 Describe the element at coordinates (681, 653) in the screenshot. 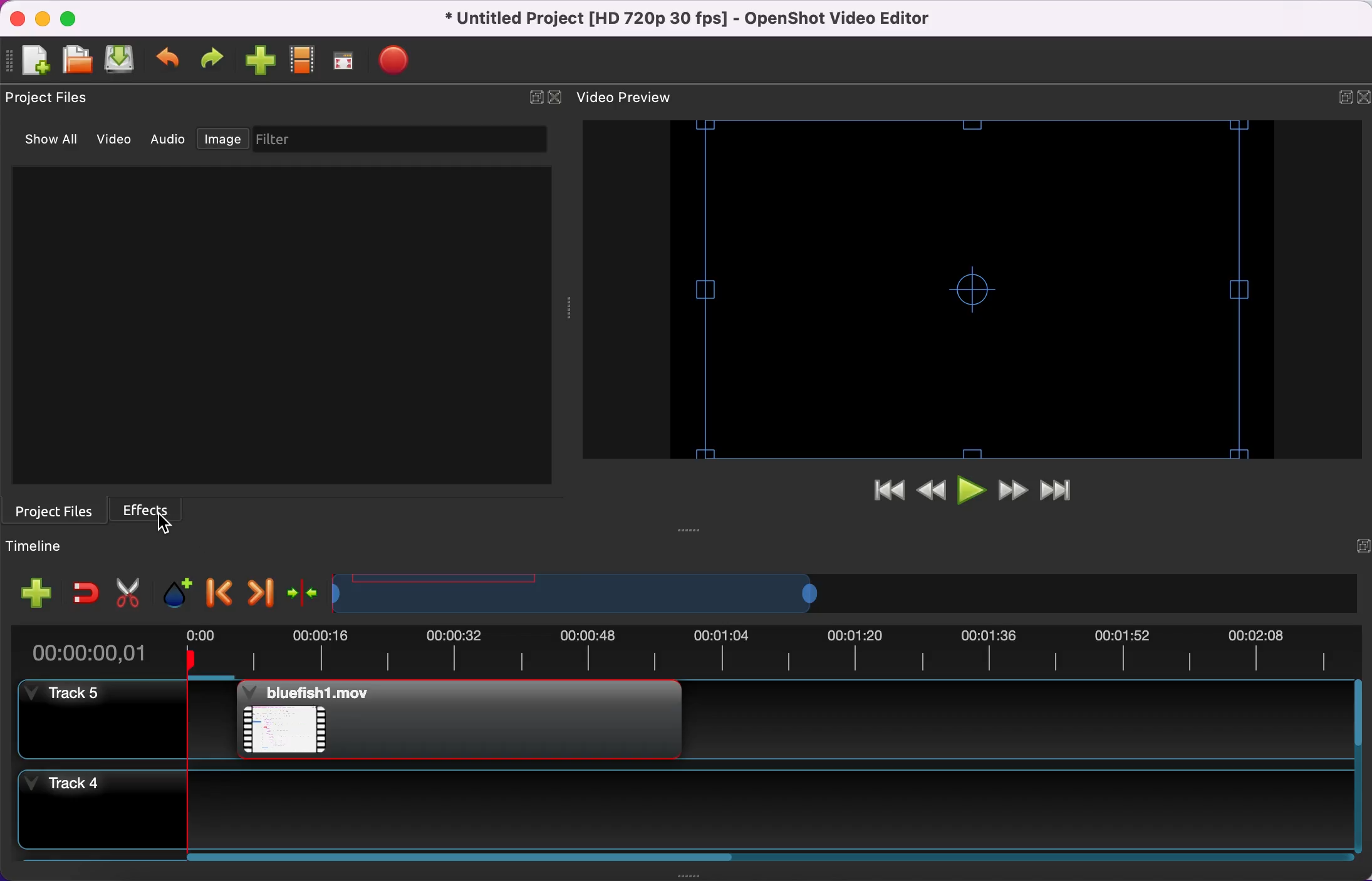

I see `time duration` at that location.